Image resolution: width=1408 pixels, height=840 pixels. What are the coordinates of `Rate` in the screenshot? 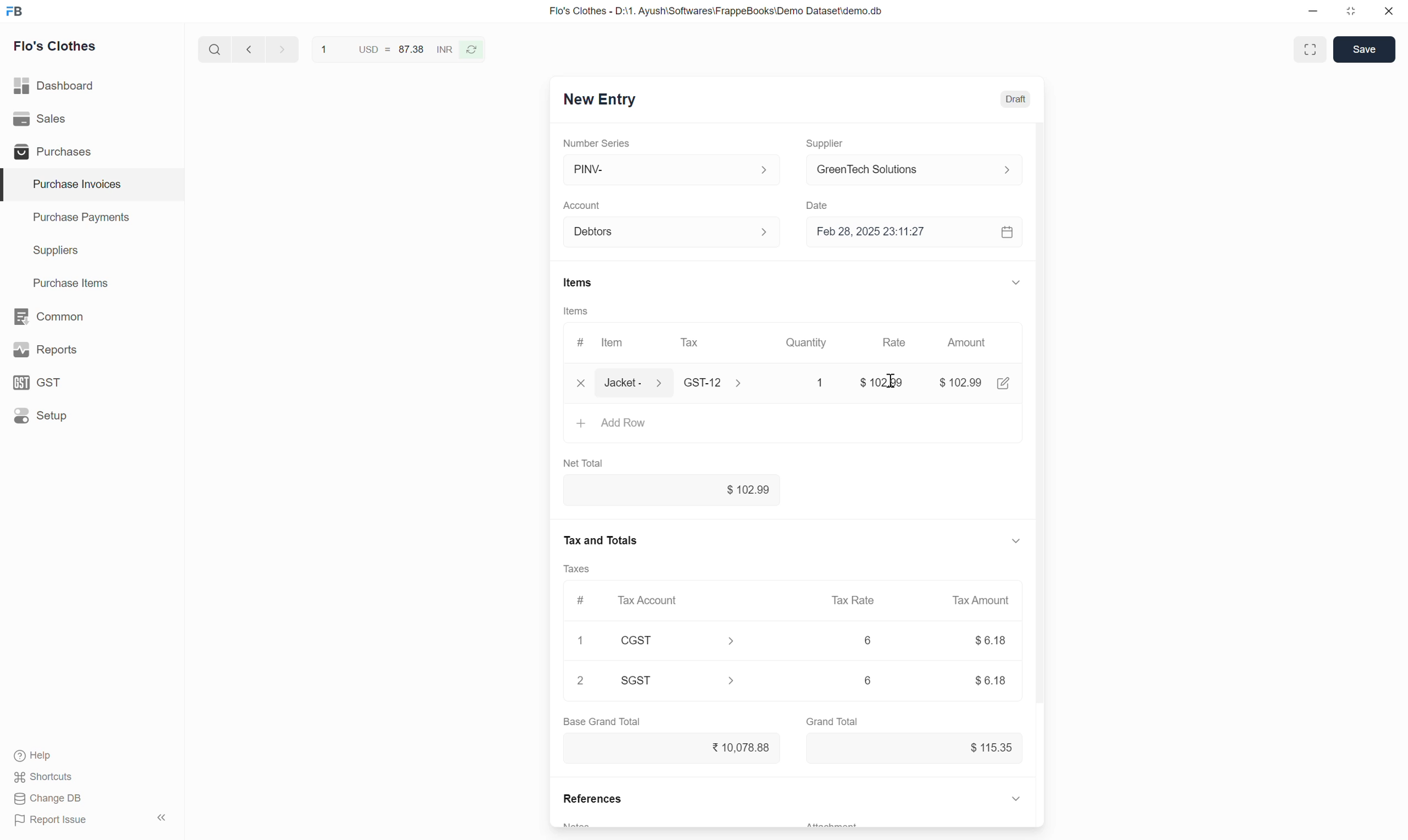 It's located at (898, 342).